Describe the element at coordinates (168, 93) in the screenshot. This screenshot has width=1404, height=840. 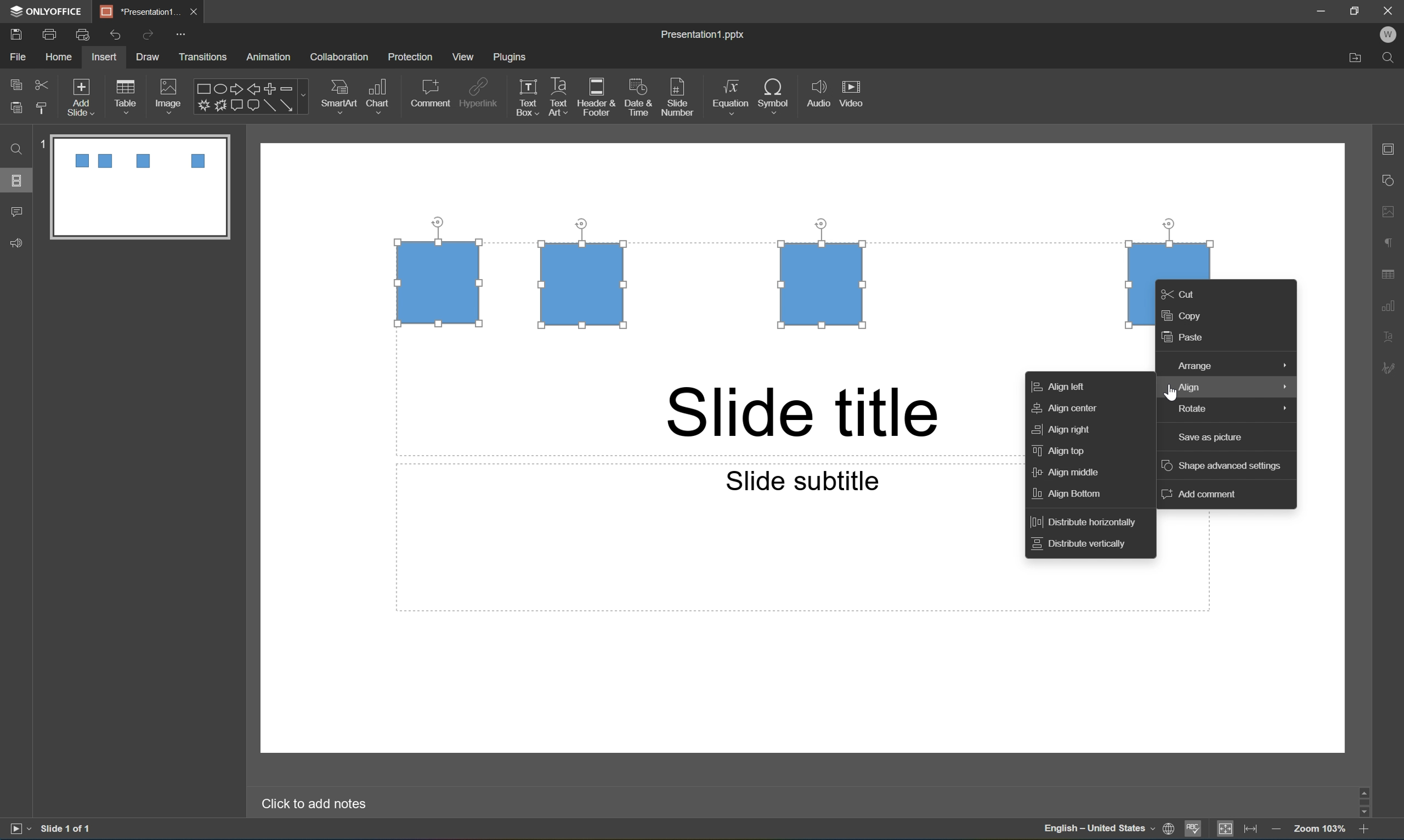
I see `image` at that location.